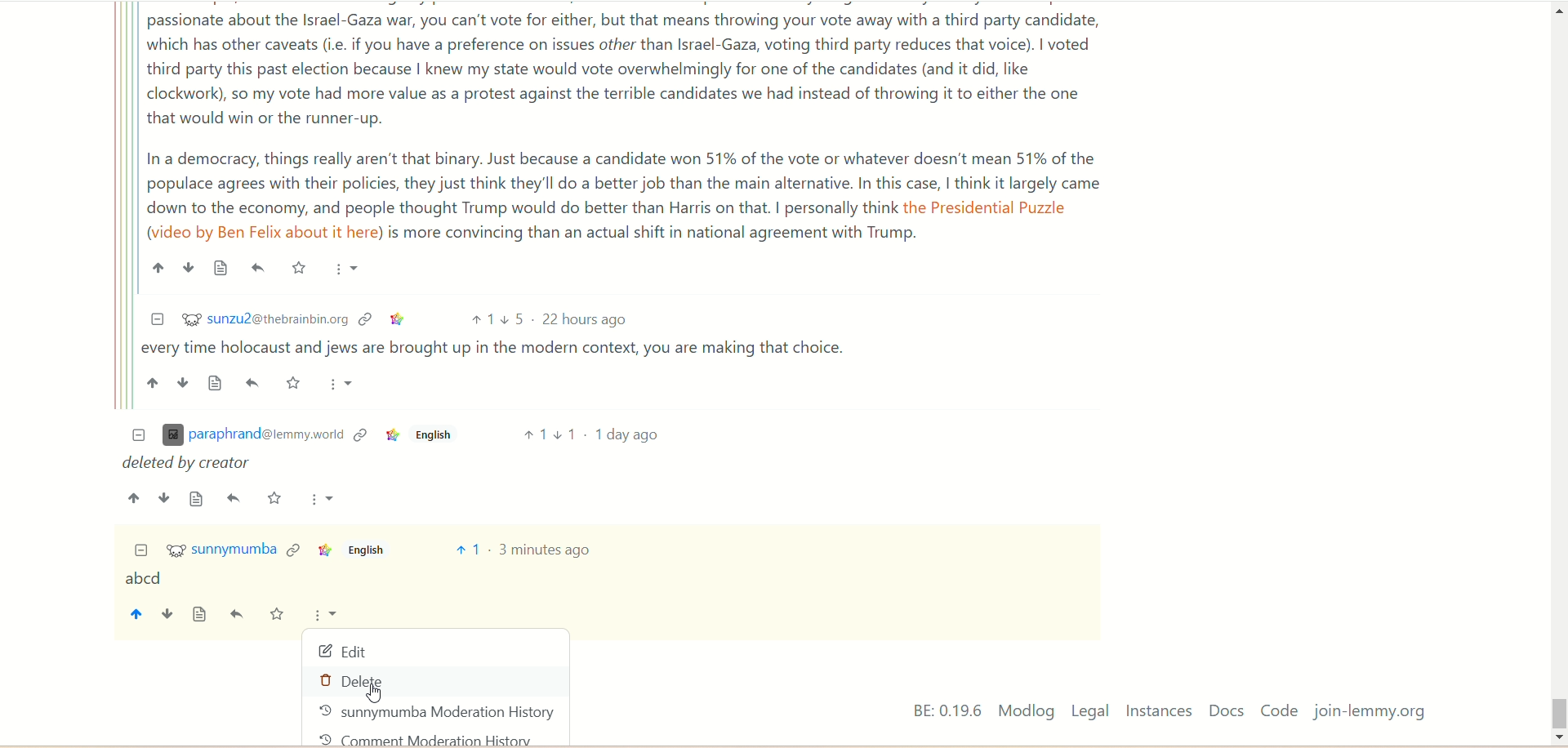  What do you see at coordinates (1228, 710) in the screenshot?
I see `Docs` at bounding box center [1228, 710].